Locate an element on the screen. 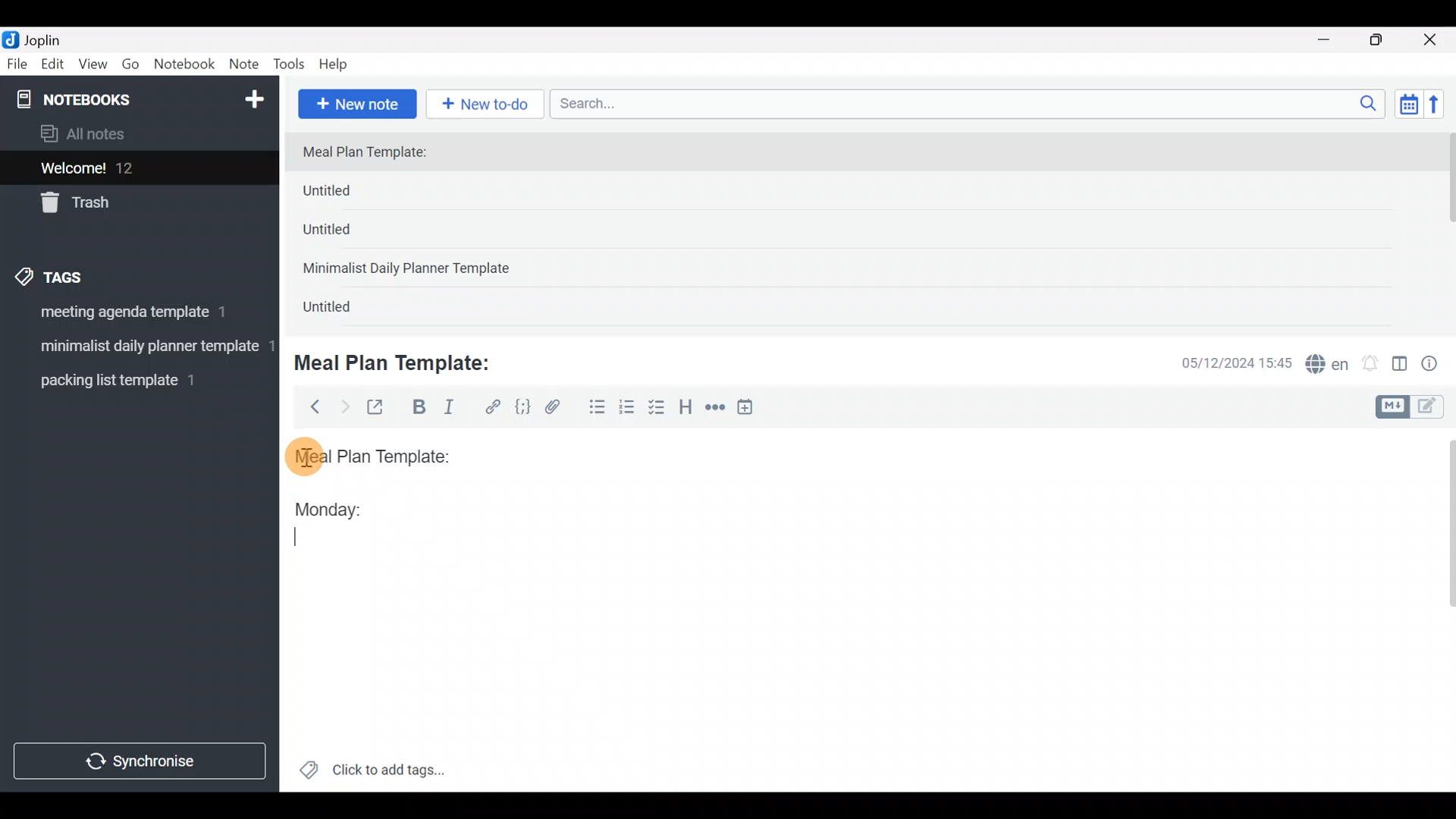  Back is located at coordinates (309, 406).